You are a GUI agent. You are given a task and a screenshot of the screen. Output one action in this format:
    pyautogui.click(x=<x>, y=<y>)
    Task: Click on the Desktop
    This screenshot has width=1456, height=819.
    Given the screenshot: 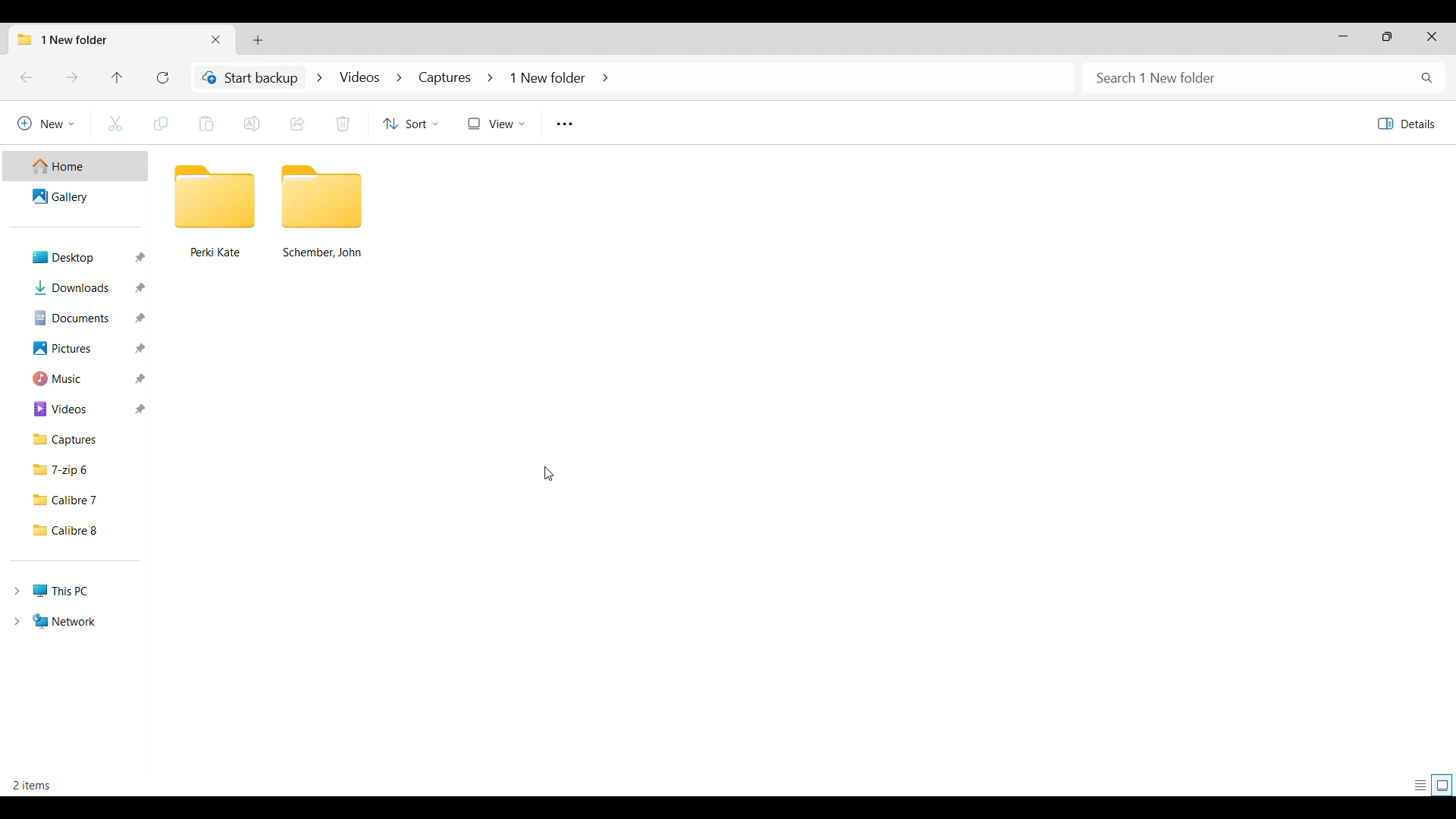 What is the action you would take?
    pyautogui.click(x=78, y=257)
    